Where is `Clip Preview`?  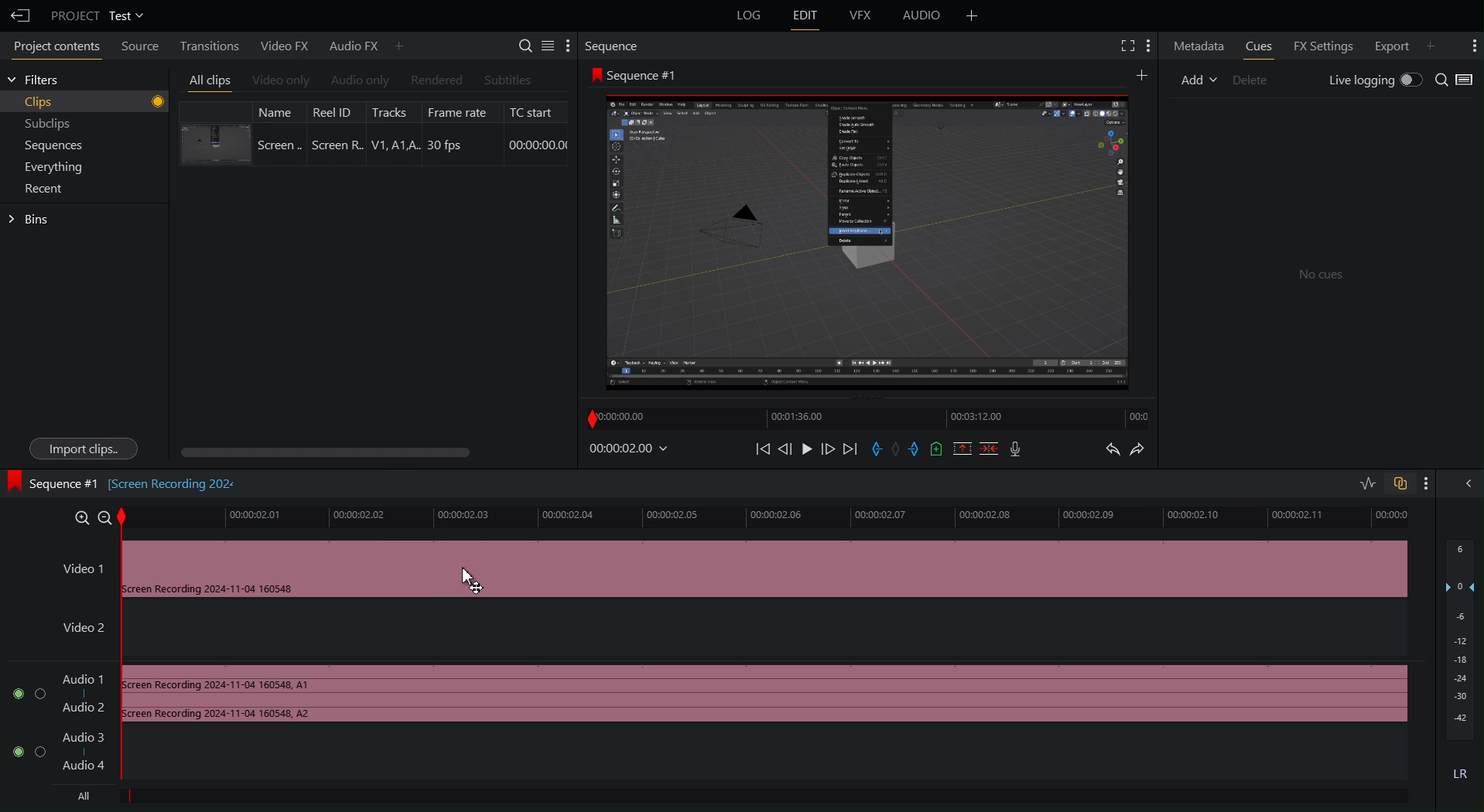
Clip Preview is located at coordinates (870, 244).